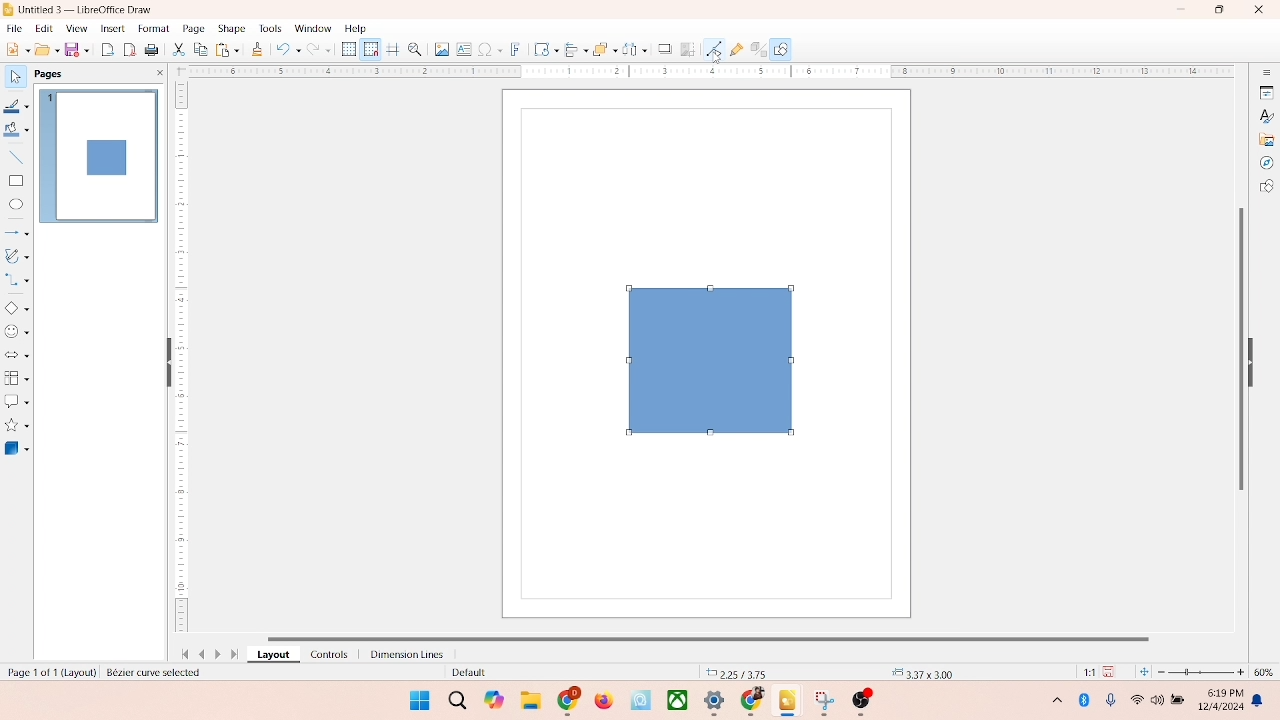 The width and height of the screenshot is (1280, 720). Describe the element at coordinates (516, 47) in the screenshot. I see `fontwork text` at that location.